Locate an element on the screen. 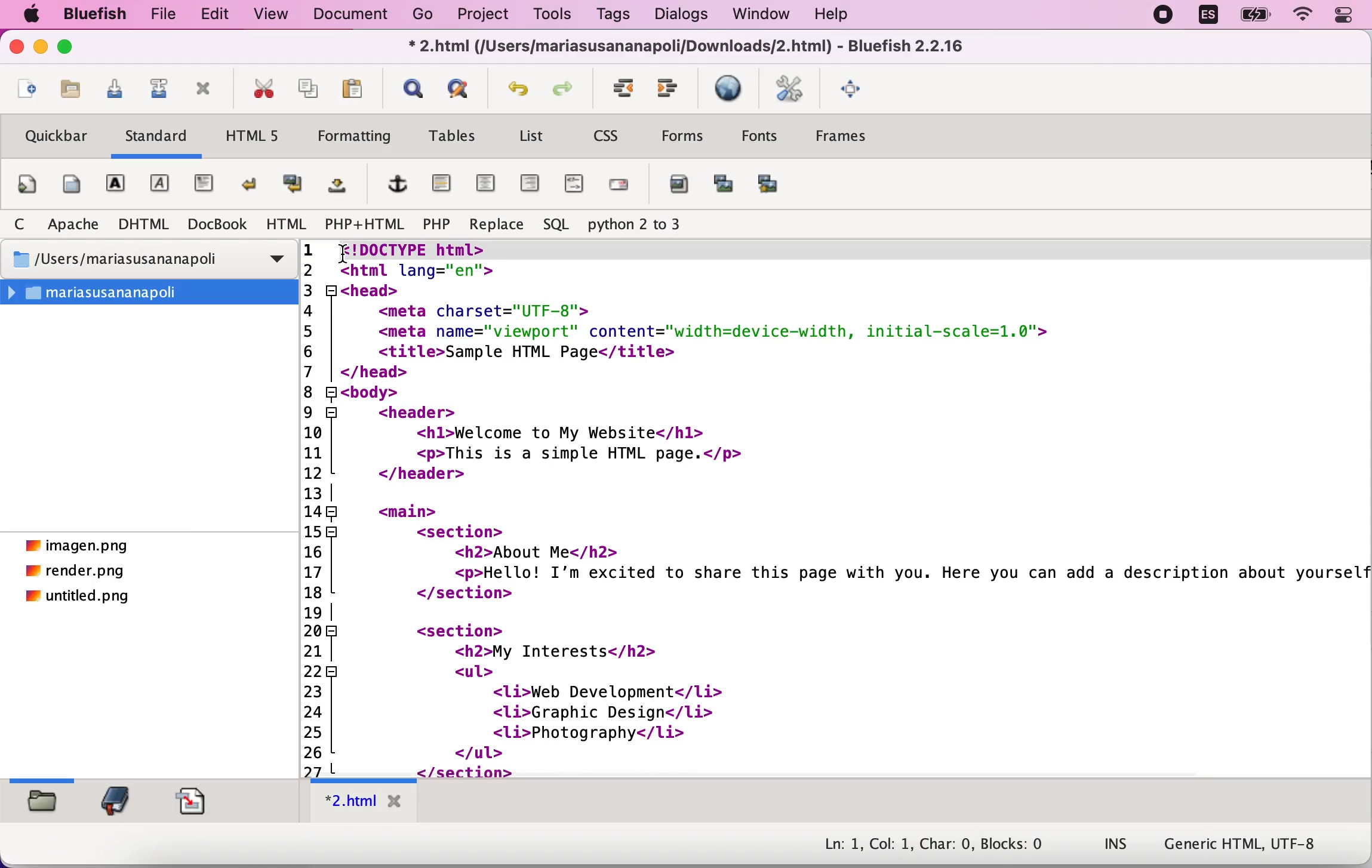 This screenshot has width=1372, height=868. new file is located at coordinates (27, 89).